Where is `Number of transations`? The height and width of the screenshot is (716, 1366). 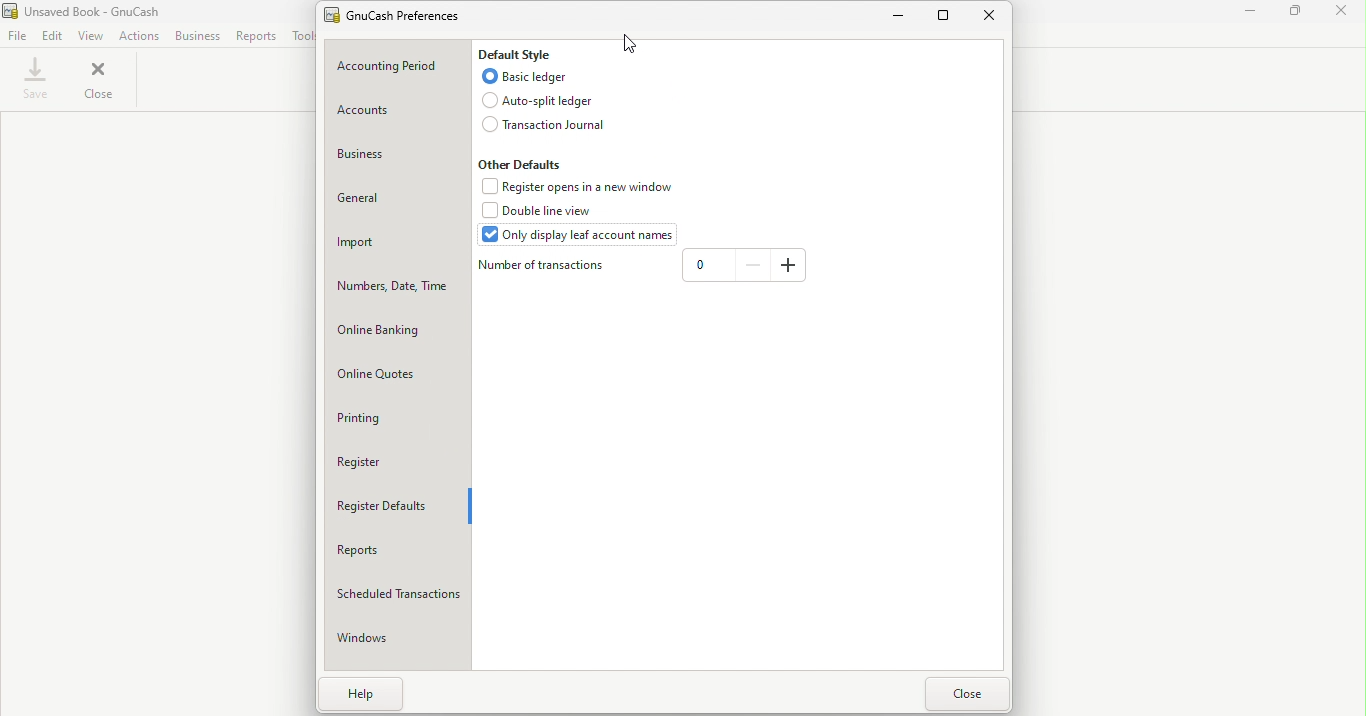
Number of transations is located at coordinates (543, 267).